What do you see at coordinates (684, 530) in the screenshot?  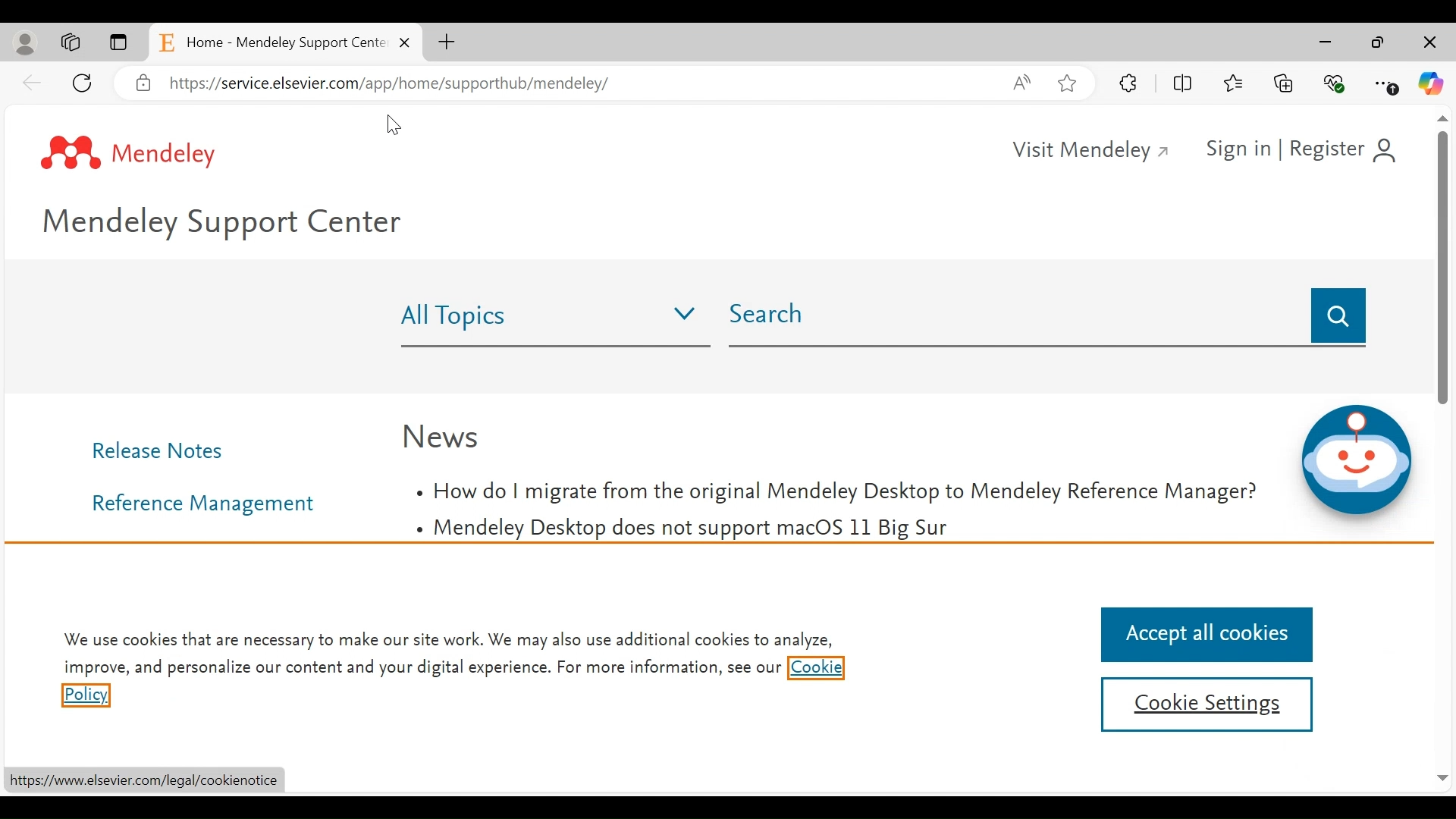 I see `Mendeley Desktop does not support macOS 11 Big Sur` at bounding box center [684, 530].